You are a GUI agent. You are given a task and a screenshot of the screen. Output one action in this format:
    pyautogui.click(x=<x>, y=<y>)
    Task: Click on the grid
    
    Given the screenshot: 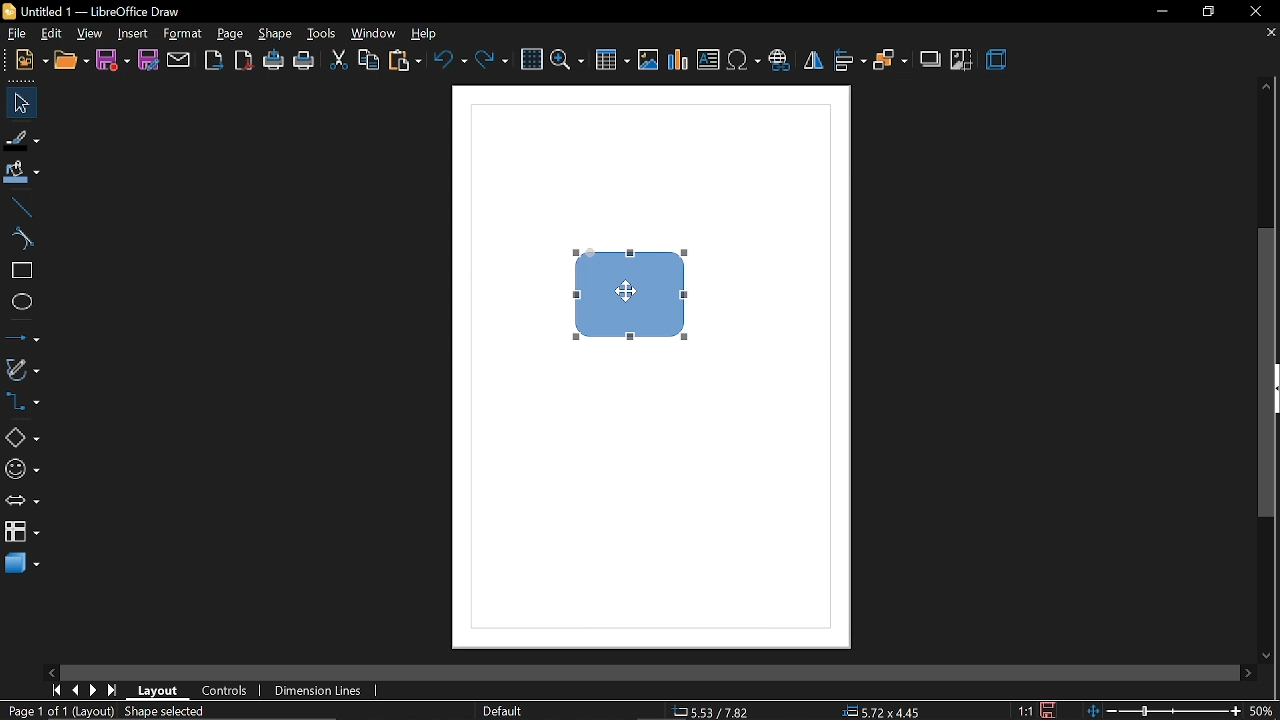 What is the action you would take?
    pyautogui.click(x=532, y=59)
    